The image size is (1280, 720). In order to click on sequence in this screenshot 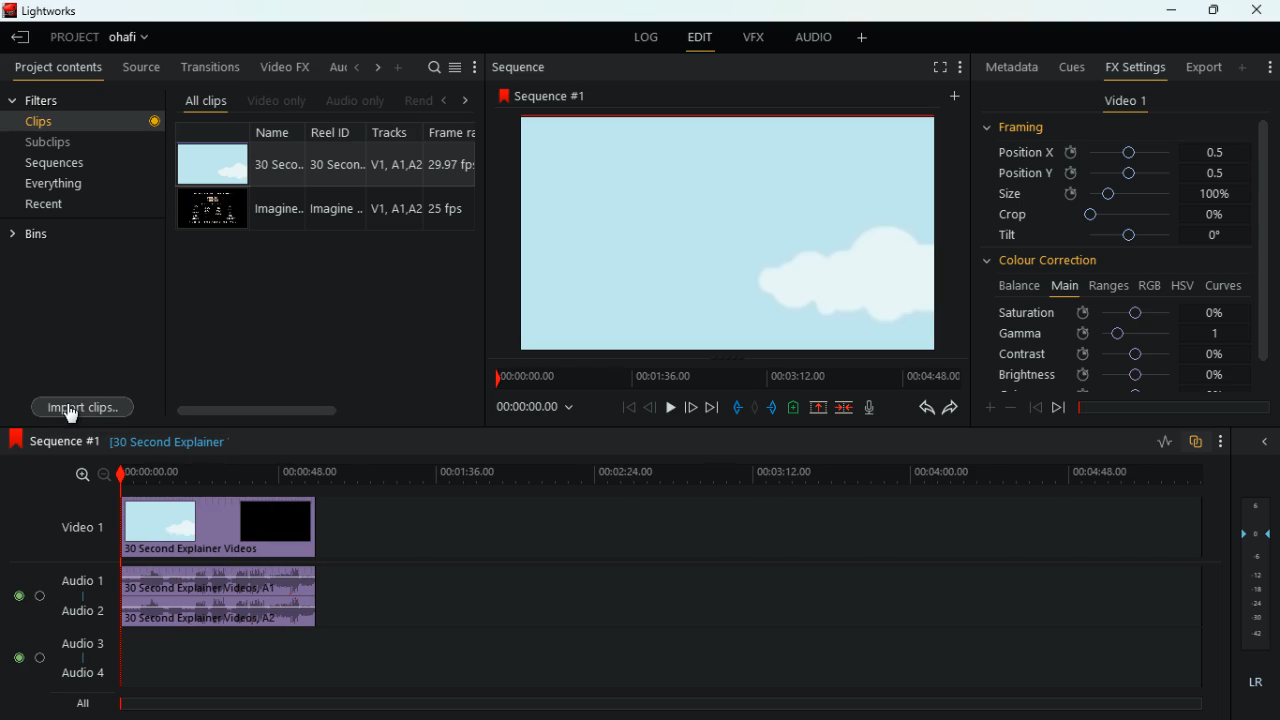, I will do `click(51, 439)`.